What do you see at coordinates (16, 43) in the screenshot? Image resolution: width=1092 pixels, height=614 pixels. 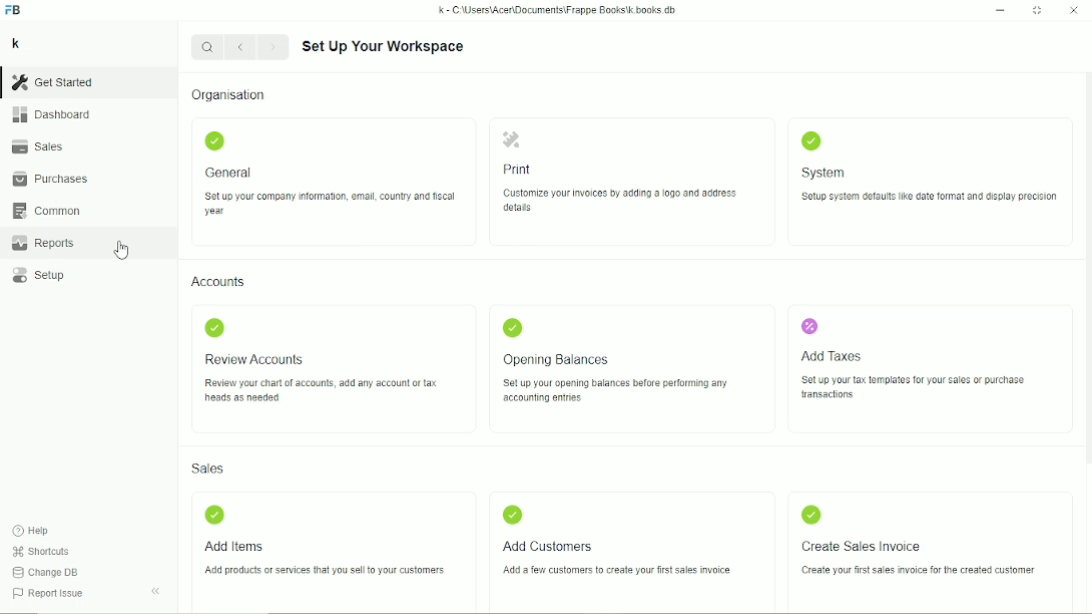 I see `K` at bounding box center [16, 43].